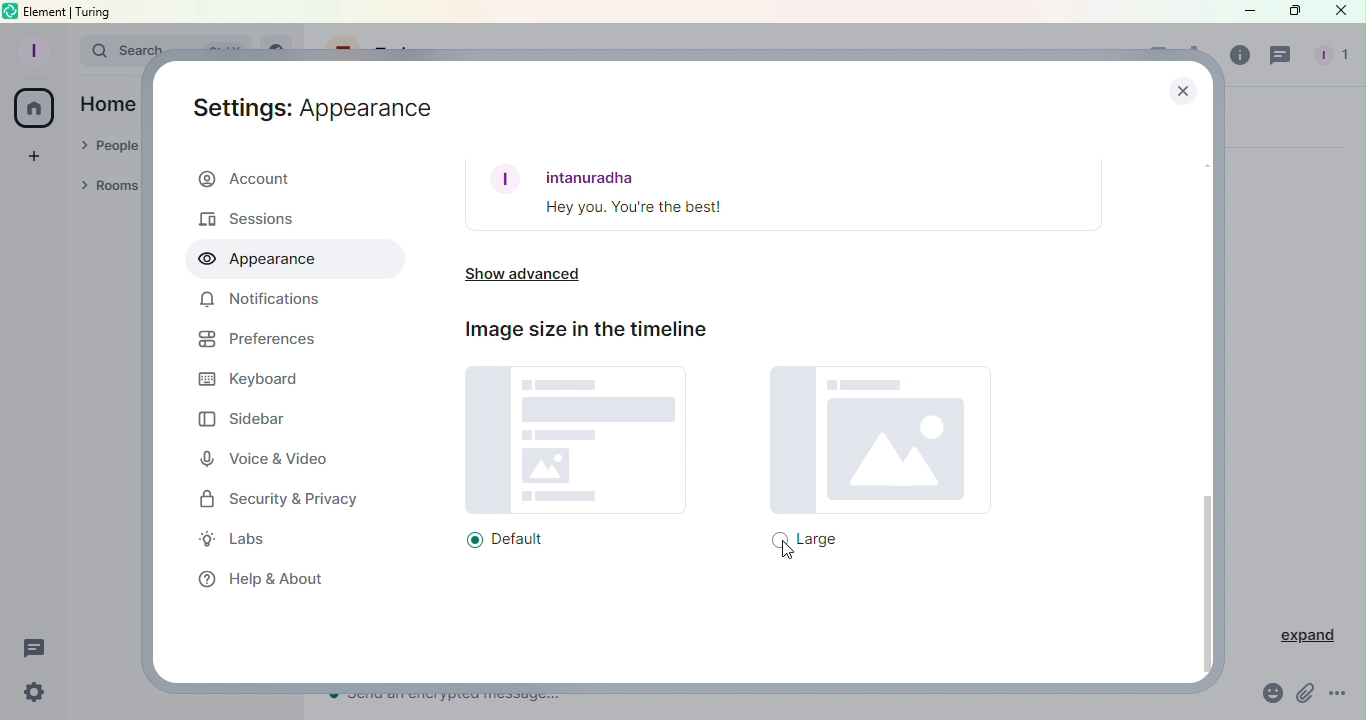 Image resolution: width=1366 pixels, height=720 pixels. What do you see at coordinates (108, 49) in the screenshot?
I see `Search` at bounding box center [108, 49].